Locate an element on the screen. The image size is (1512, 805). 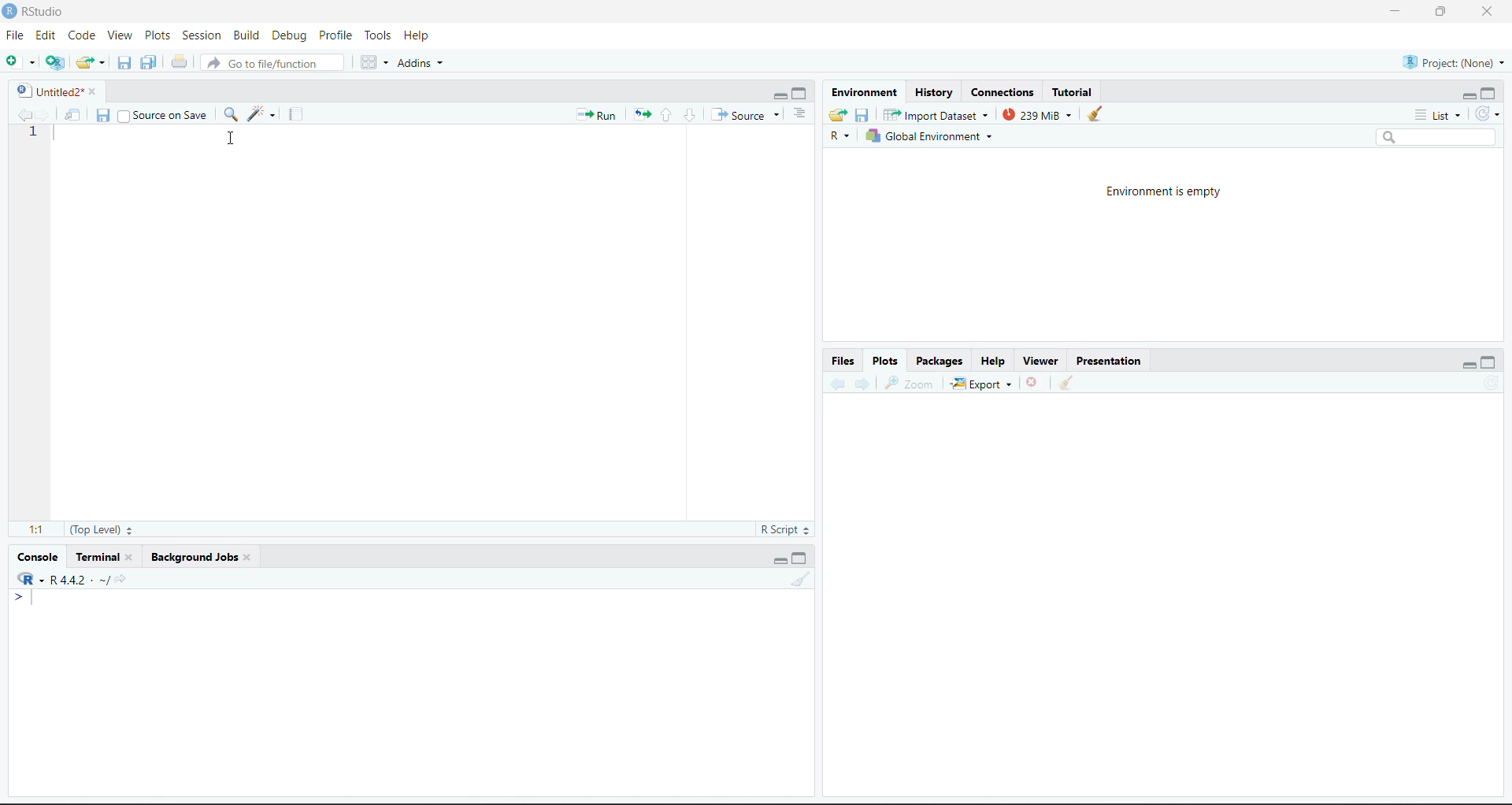
Minimize is located at coordinates (1467, 95).